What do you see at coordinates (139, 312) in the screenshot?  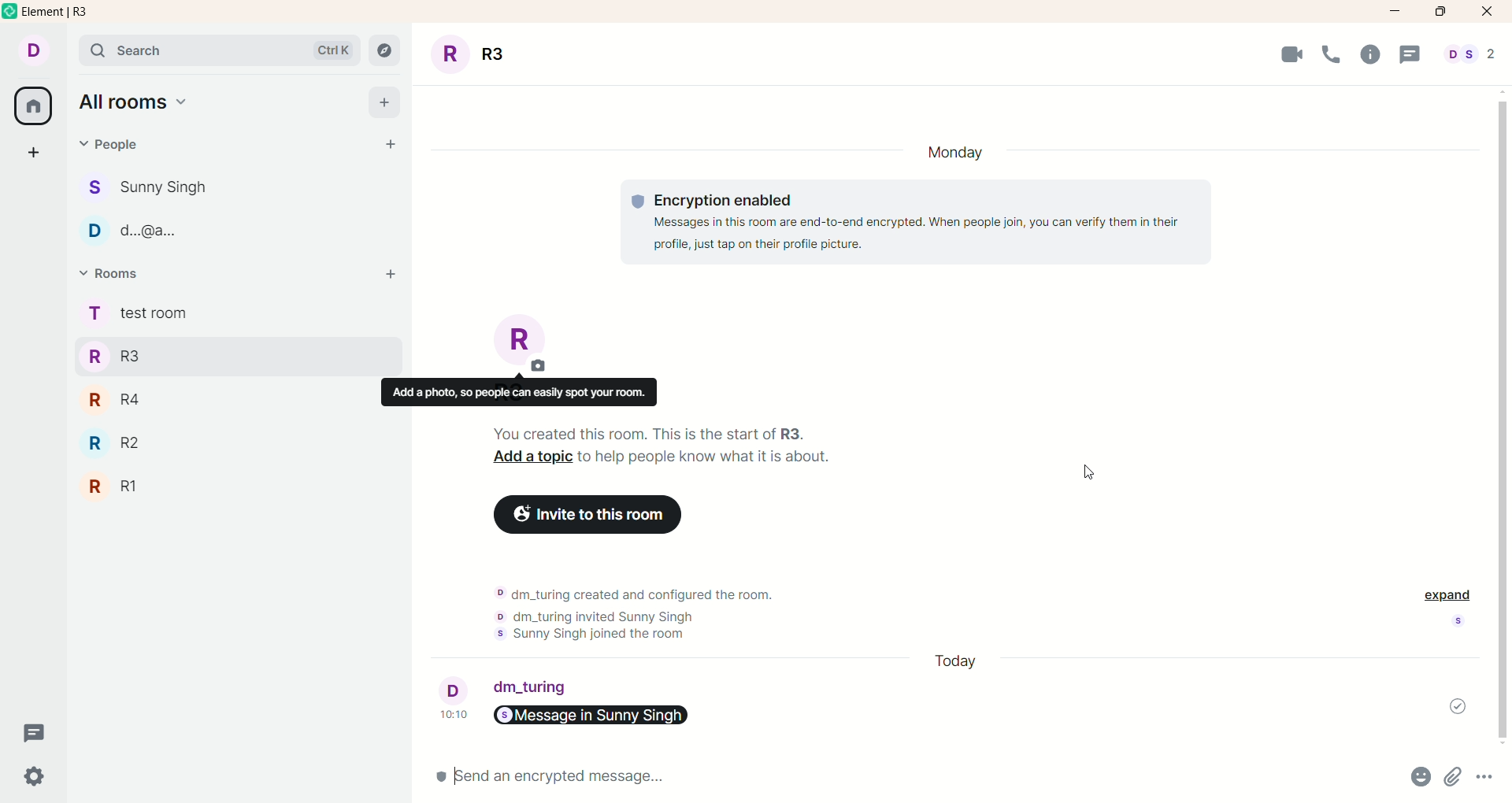 I see `rooms` at bounding box center [139, 312].